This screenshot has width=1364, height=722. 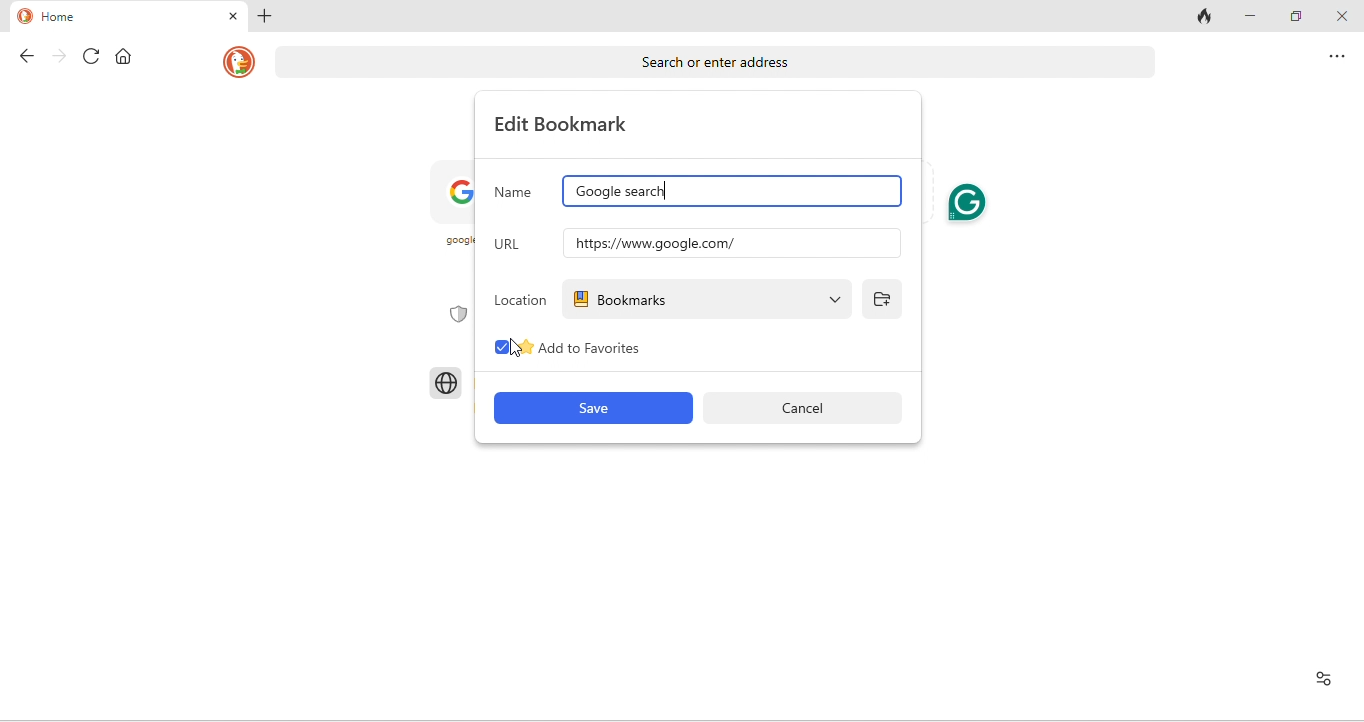 I want to click on track tab, so click(x=1202, y=18).